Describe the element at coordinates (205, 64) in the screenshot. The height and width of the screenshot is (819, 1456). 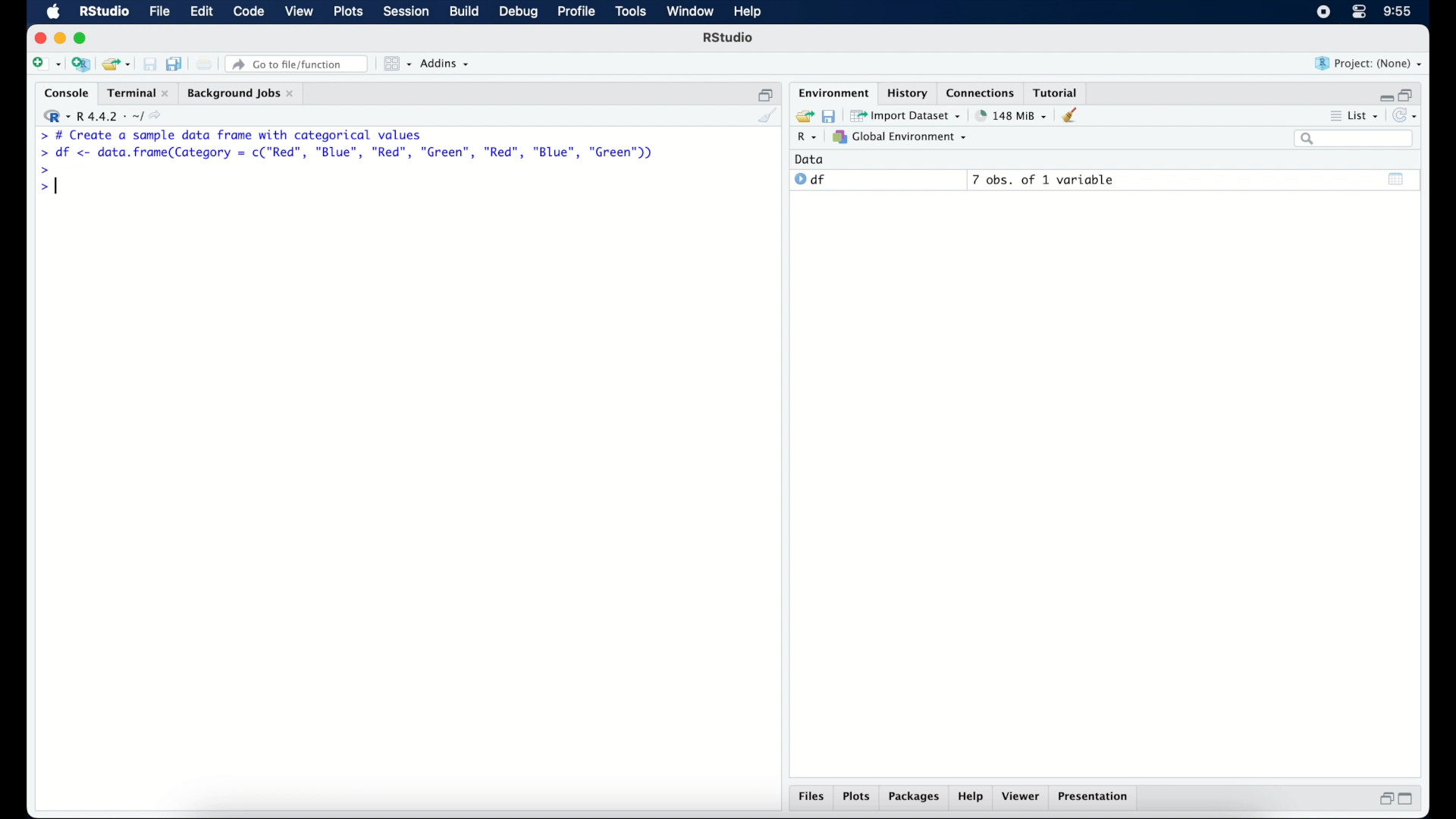
I see `print` at that location.